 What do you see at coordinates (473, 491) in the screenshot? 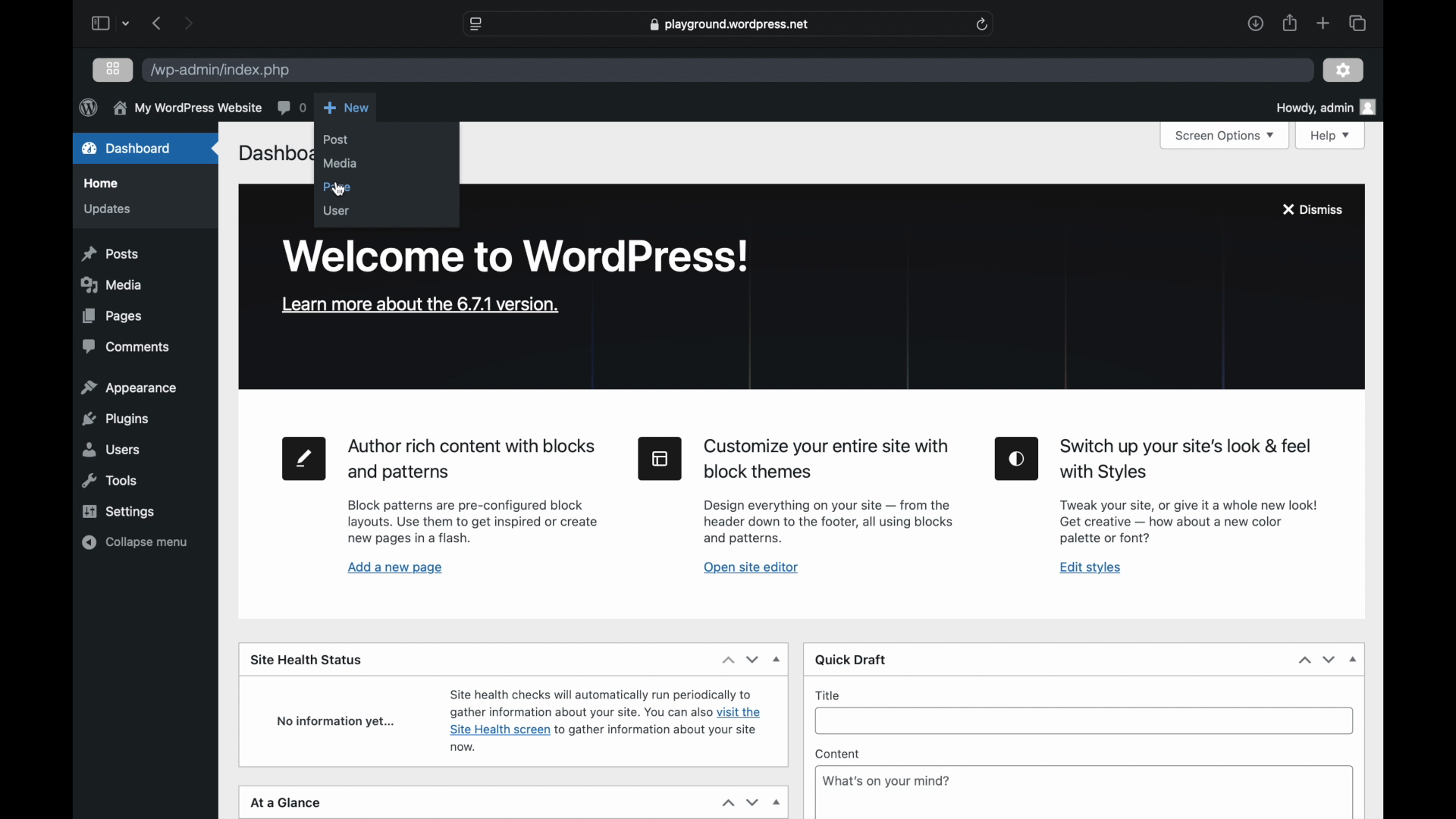
I see `Author rich content with blocks
and patterns

Block patterns are pre-configured block
layouts. Use them to get inspired or create
new pages in a flash.` at bounding box center [473, 491].